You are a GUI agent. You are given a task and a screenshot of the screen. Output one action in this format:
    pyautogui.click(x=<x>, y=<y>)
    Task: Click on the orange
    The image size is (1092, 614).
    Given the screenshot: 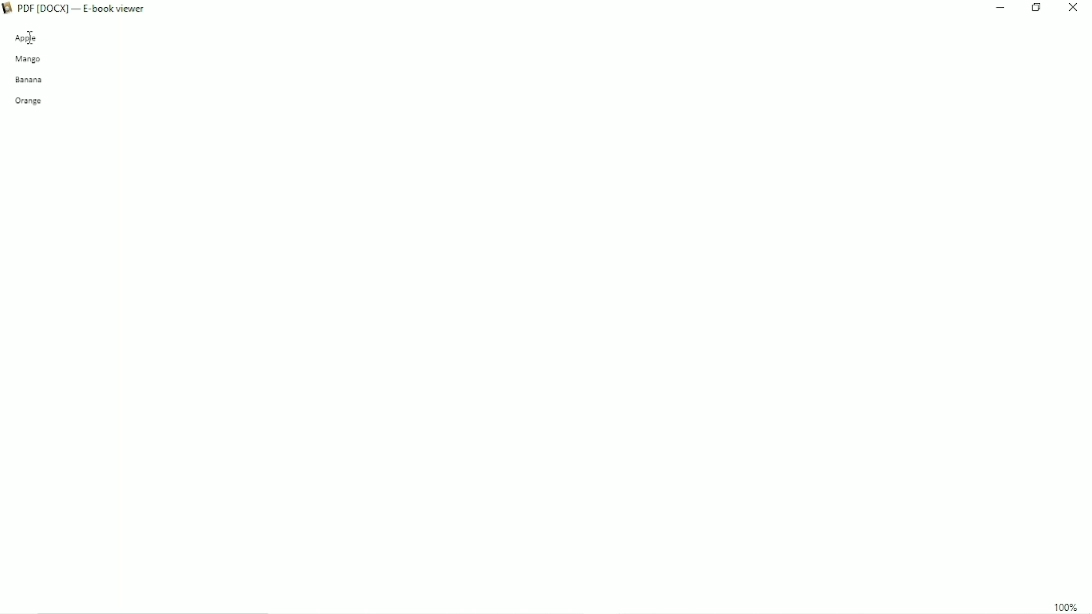 What is the action you would take?
    pyautogui.click(x=31, y=101)
    